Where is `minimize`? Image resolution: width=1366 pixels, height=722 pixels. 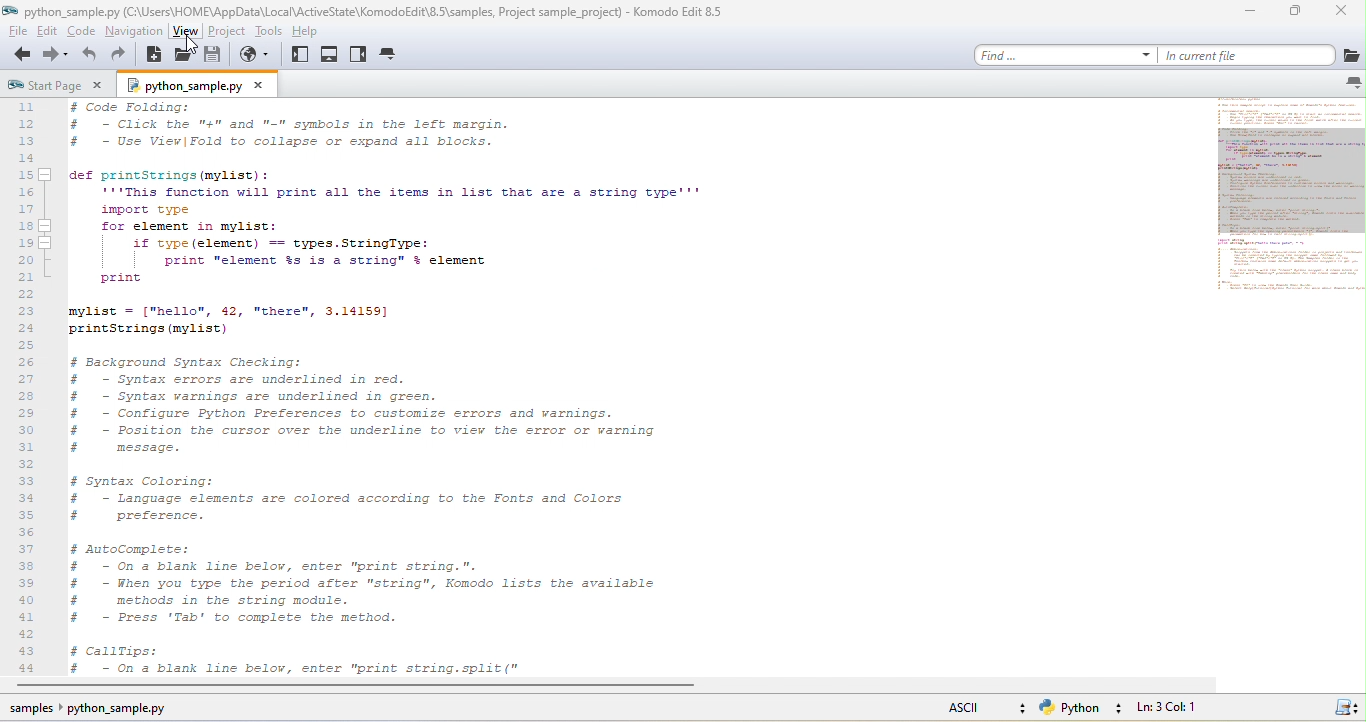
minimize is located at coordinates (1235, 16).